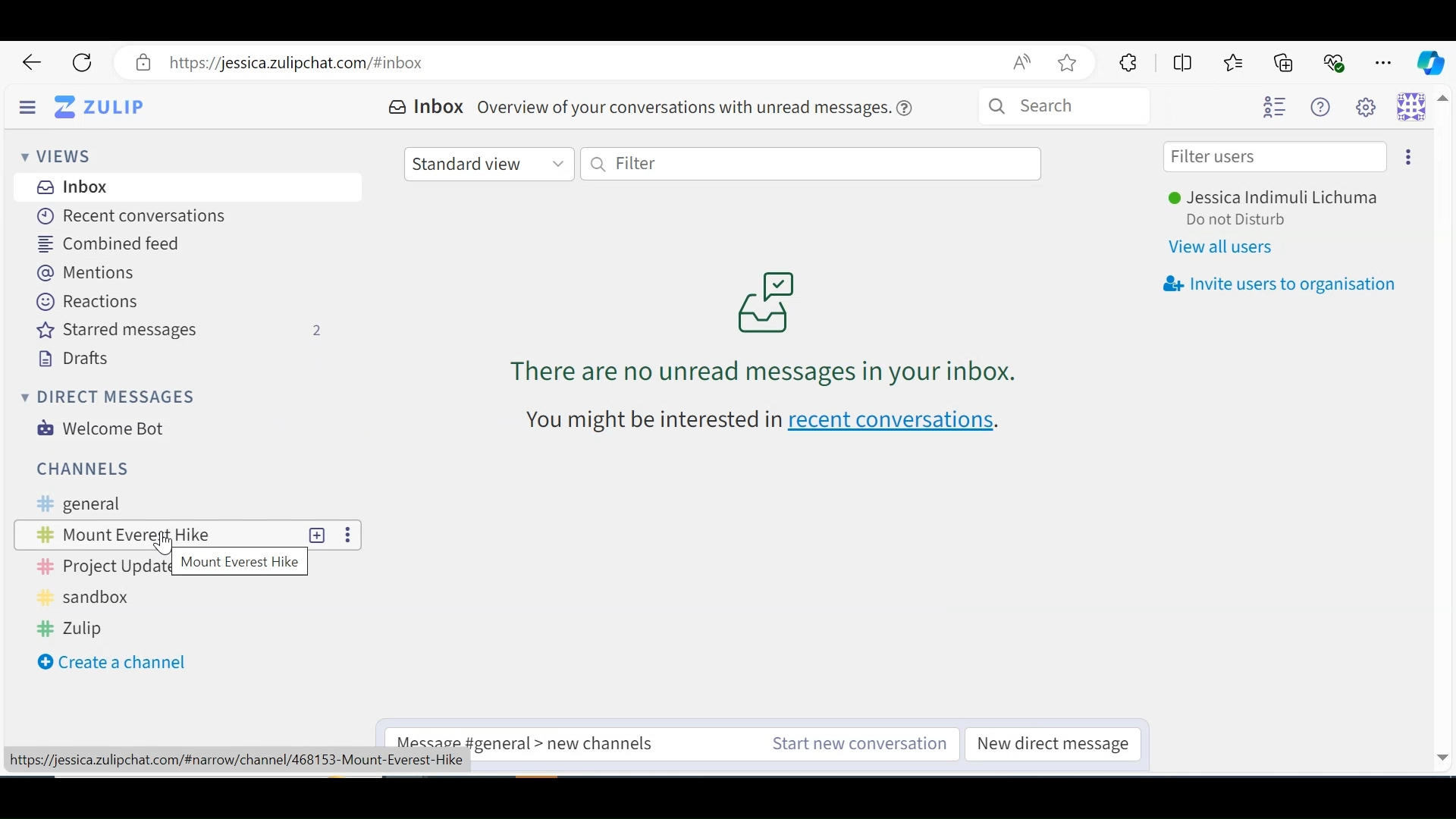 The image size is (1456, 819). I want to click on Collections, so click(1286, 61).